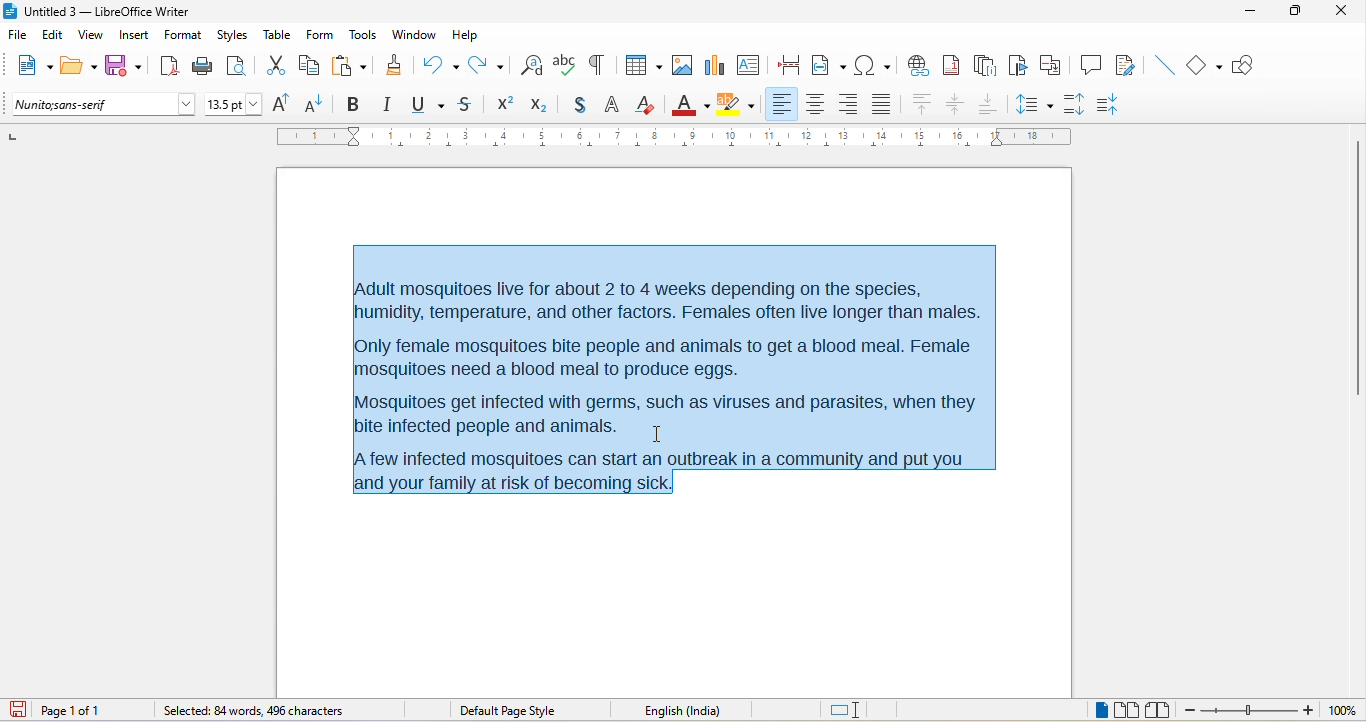 This screenshot has height=722, width=1366. I want to click on basic shapes, so click(1206, 66).